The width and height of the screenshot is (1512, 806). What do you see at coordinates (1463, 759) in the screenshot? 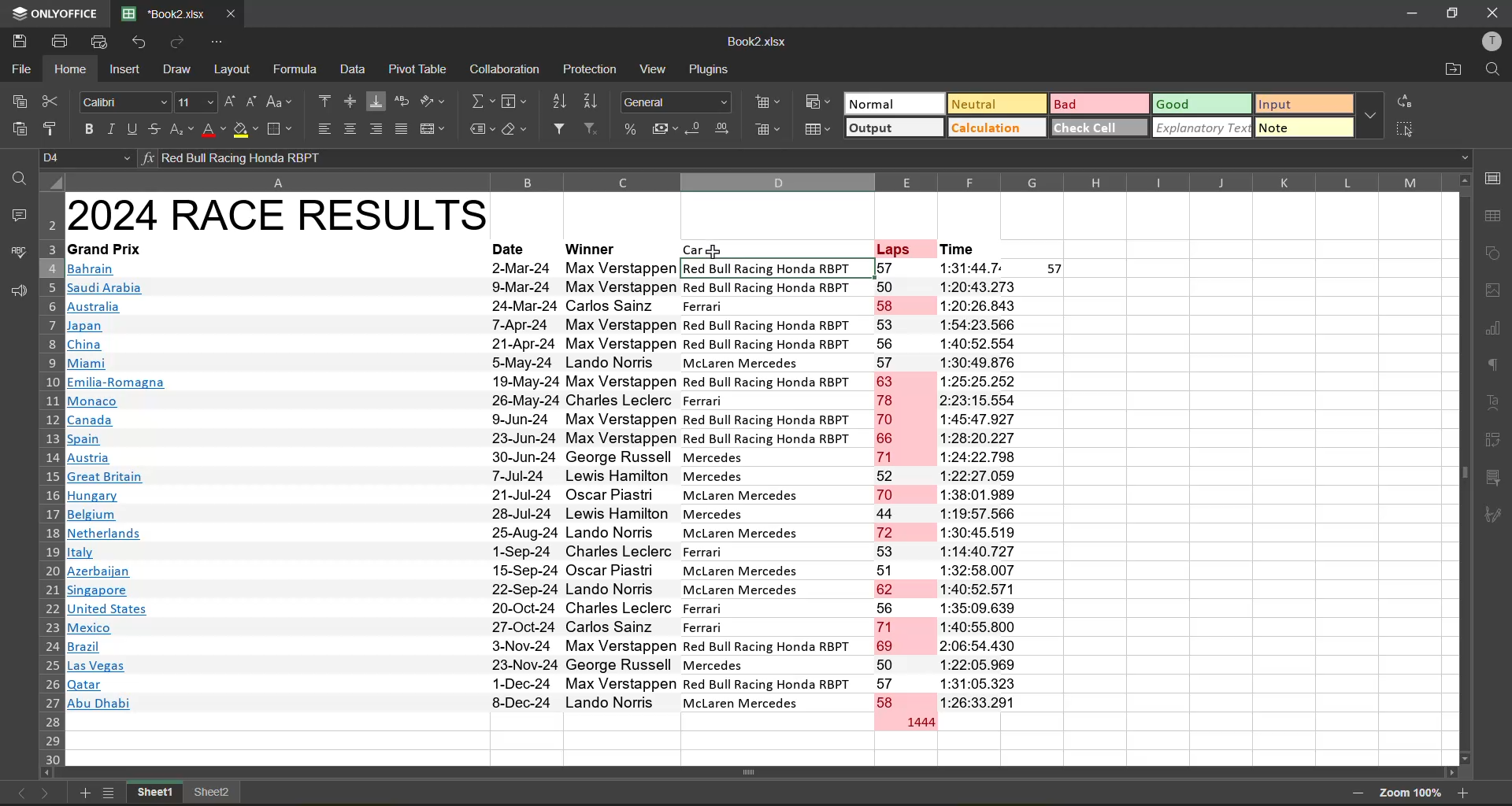
I see `Scroll down` at bounding box center [1463, 759].